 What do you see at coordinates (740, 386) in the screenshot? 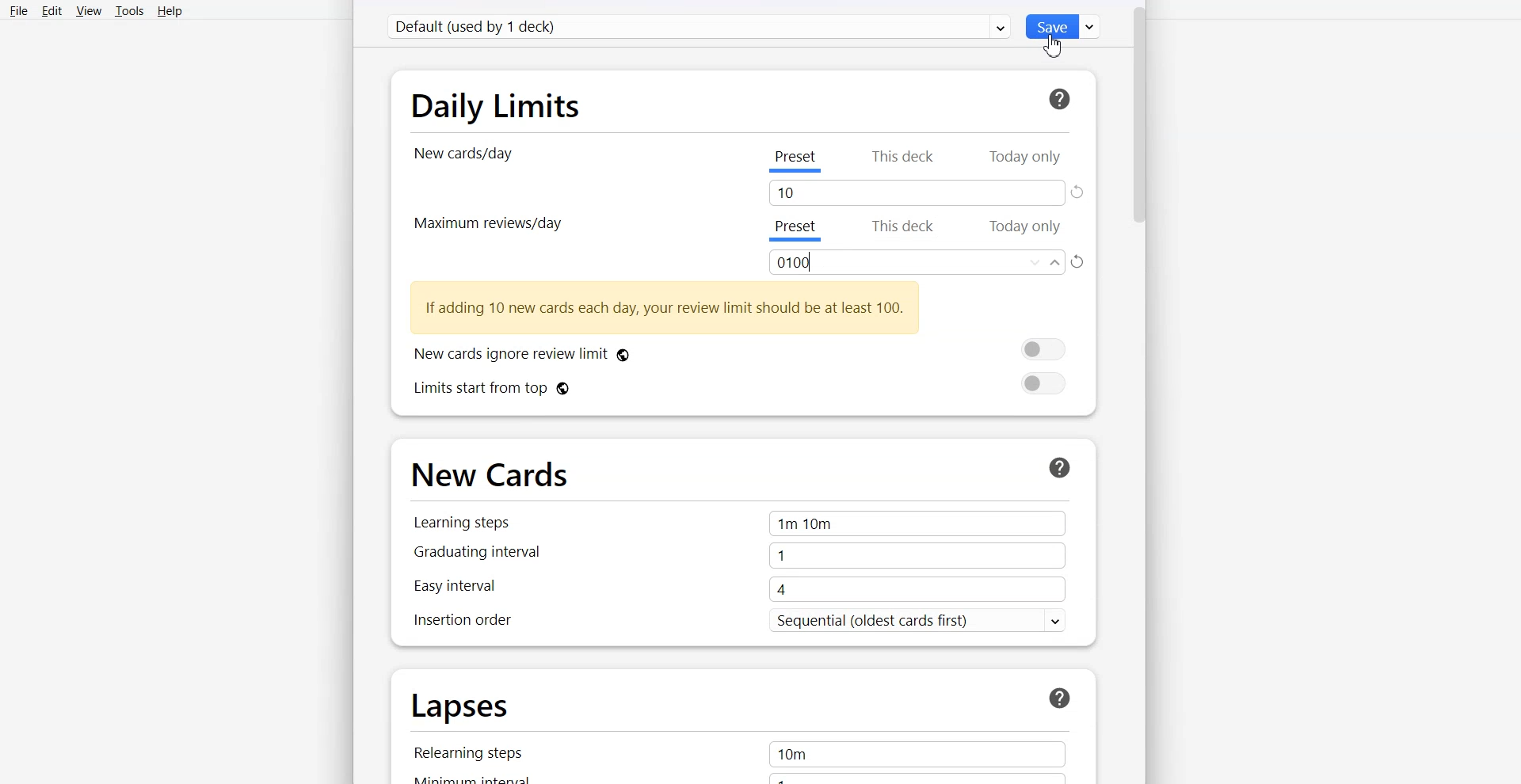
I see `Limits start from top ` at bounding box center [740, 386].